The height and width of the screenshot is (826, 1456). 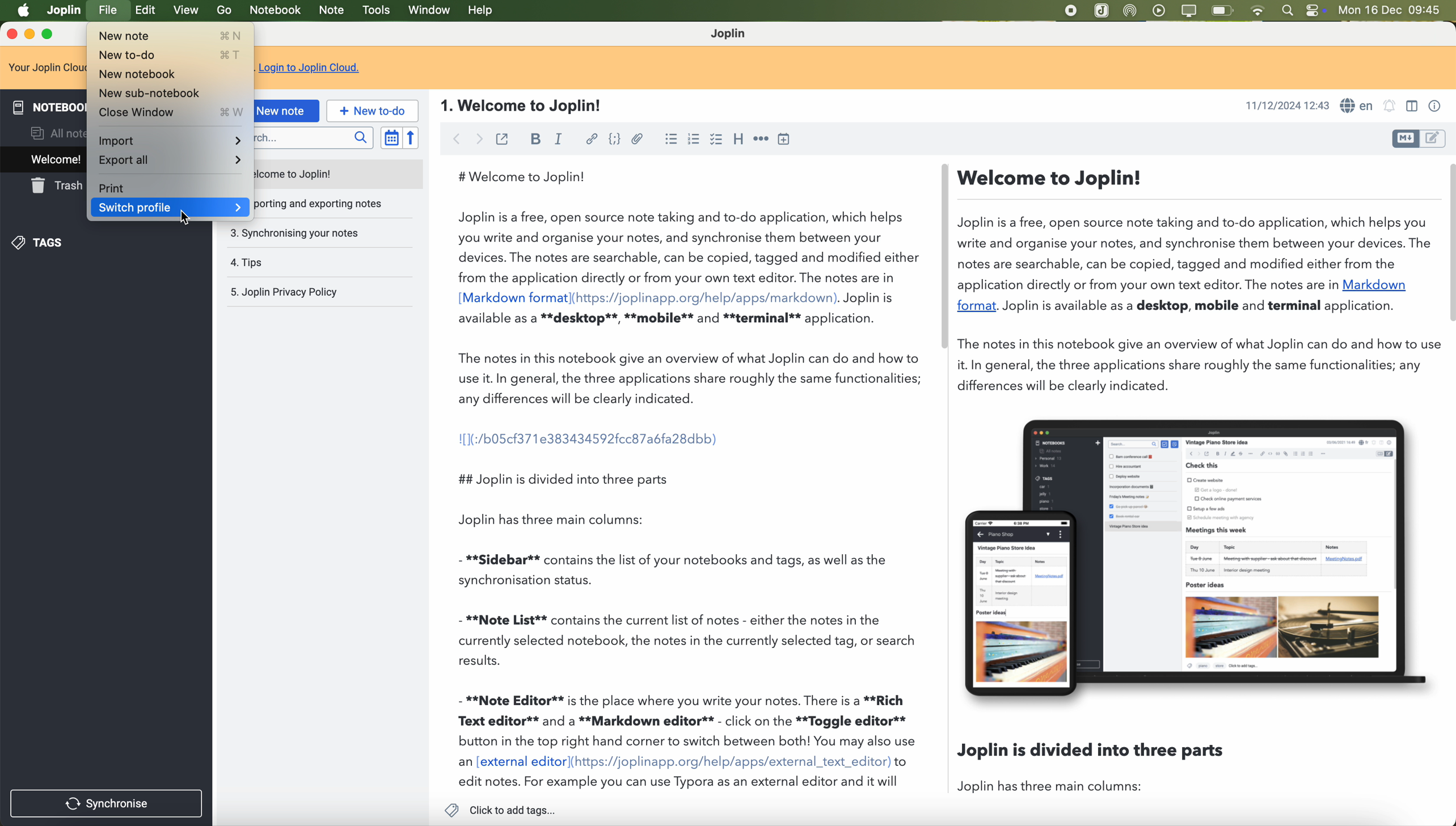 I want to click on heading, so click(x=740, y=138).